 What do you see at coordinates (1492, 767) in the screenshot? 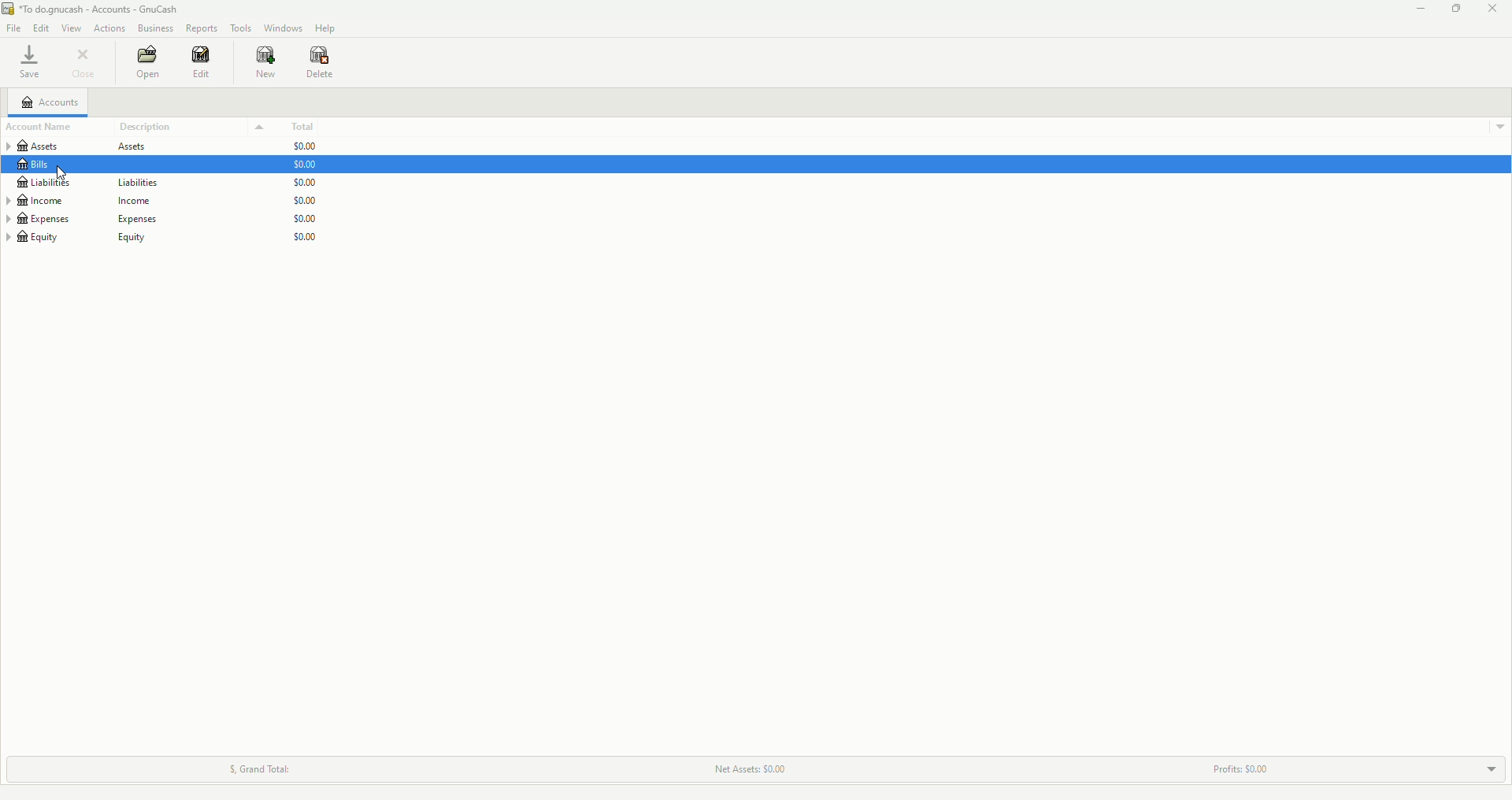
I see `Drop down` at bounding box center [1492, 767].